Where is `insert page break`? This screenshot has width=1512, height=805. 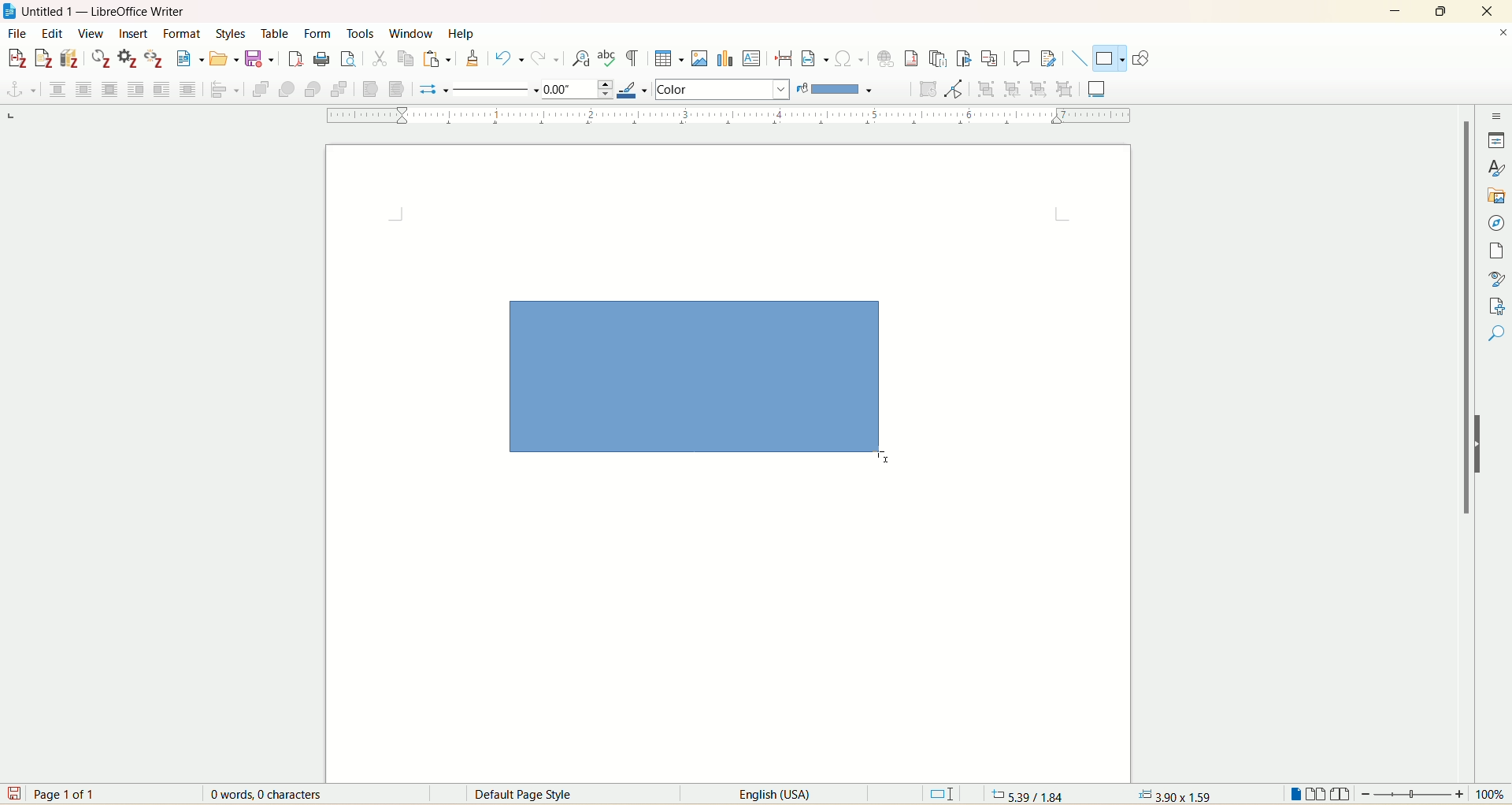
insert page break is located at coordinates (784, 57).